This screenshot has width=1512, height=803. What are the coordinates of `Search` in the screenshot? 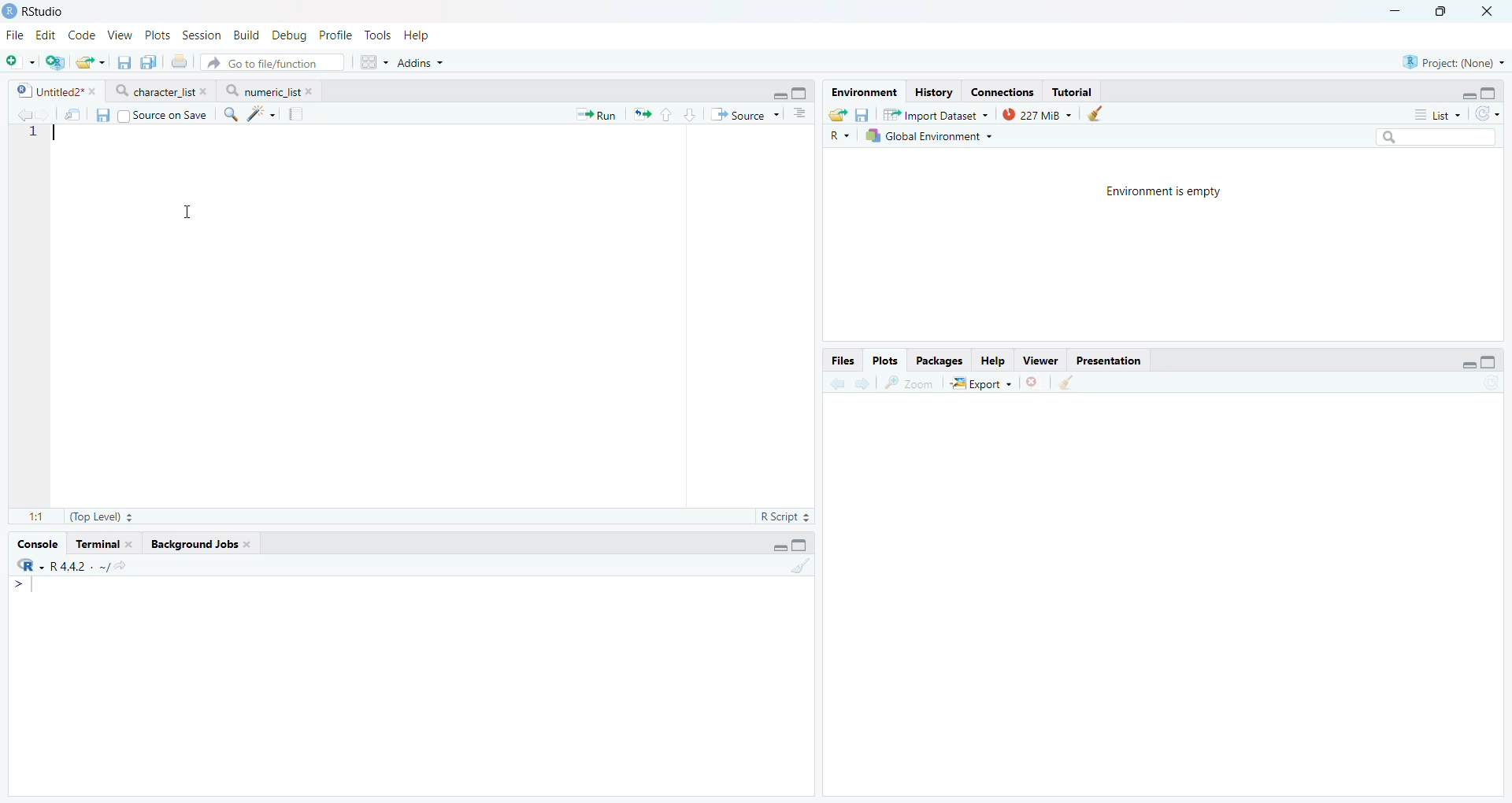 It's located at (1434, 137).